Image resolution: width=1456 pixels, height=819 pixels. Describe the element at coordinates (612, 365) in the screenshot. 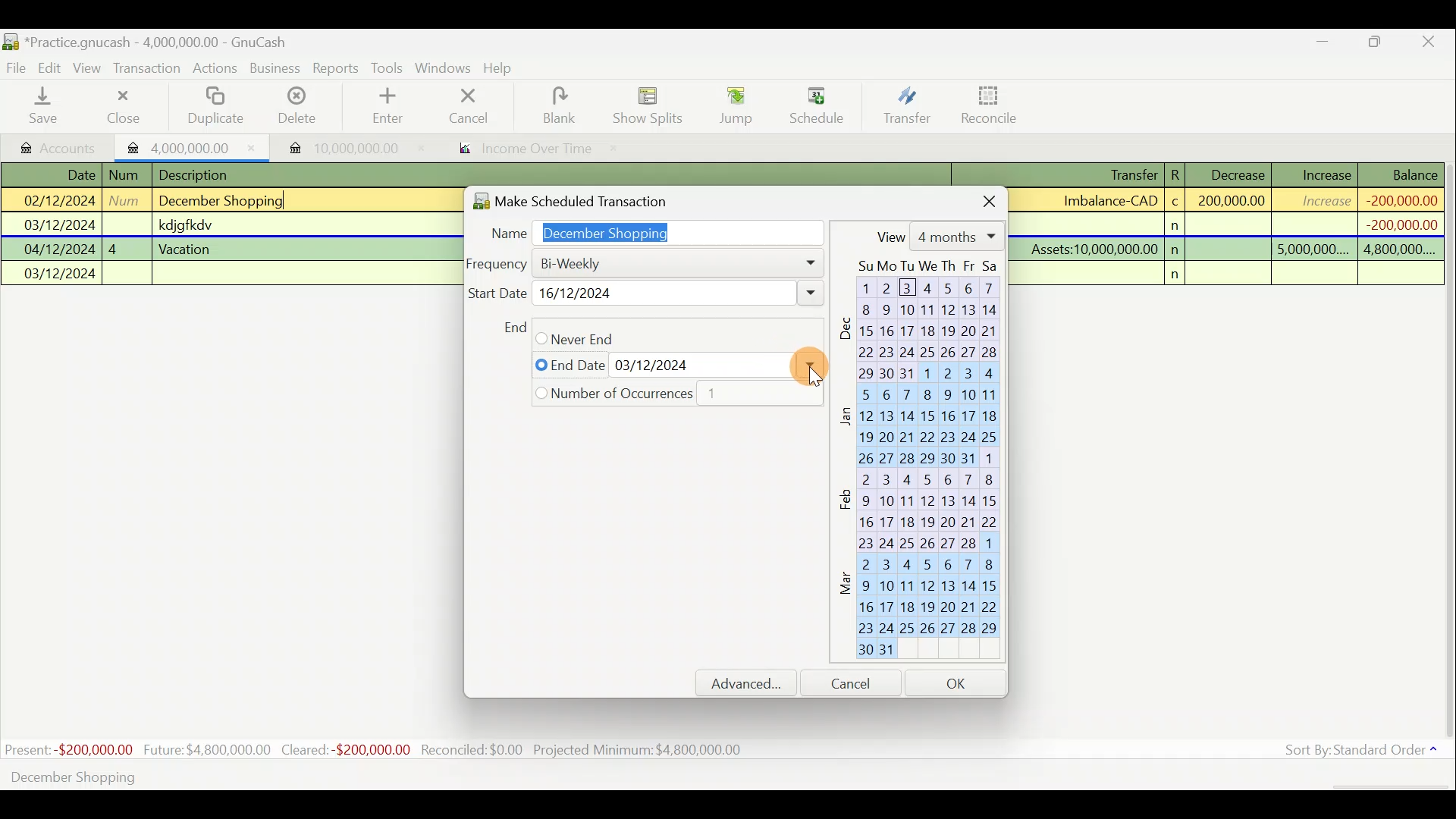

I see `Quarterly` at that location.